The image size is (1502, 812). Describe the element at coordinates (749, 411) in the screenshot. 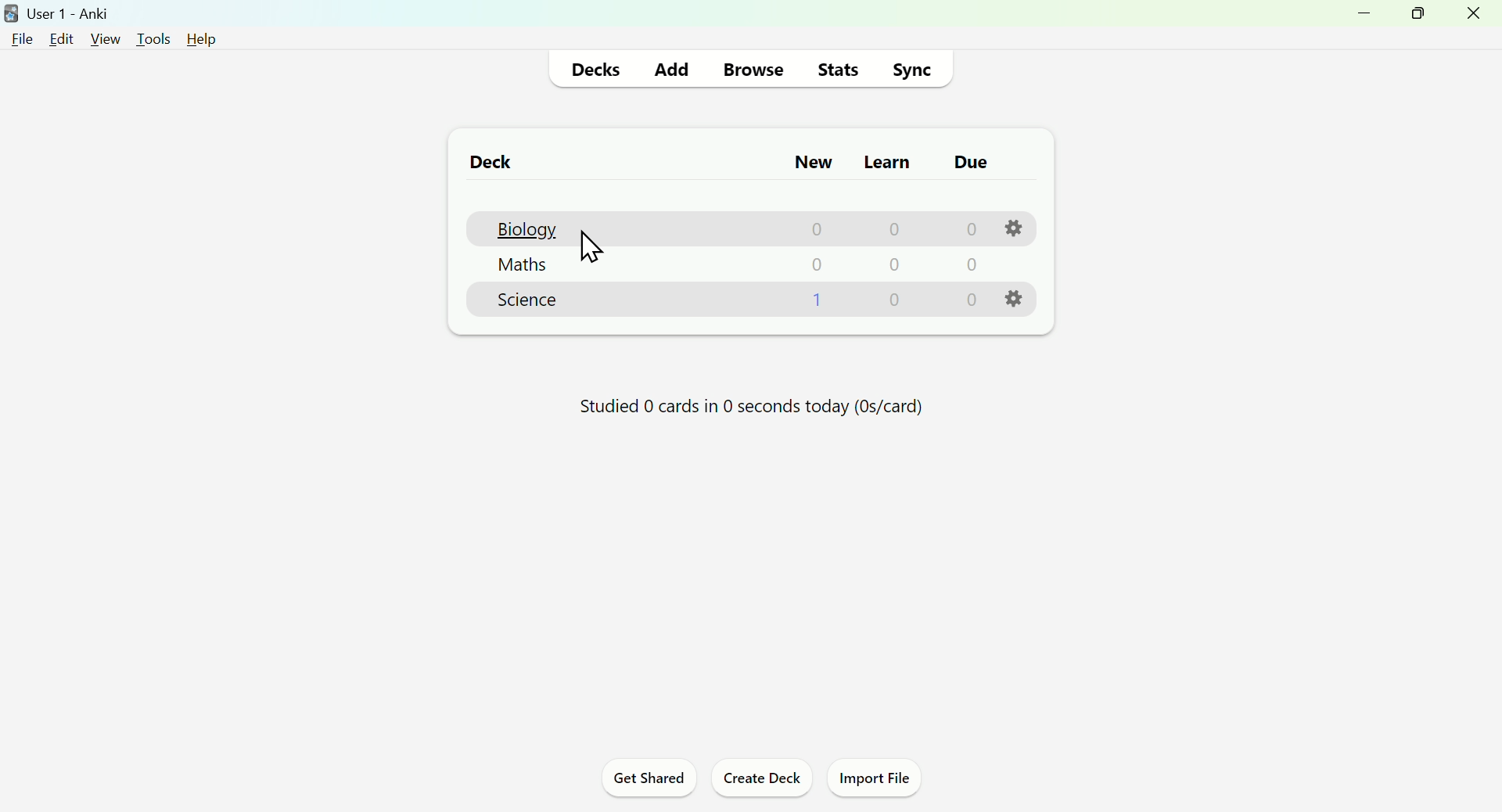

I see `Studied 0 cards in 0 seconds today (Os/card)` at that location.